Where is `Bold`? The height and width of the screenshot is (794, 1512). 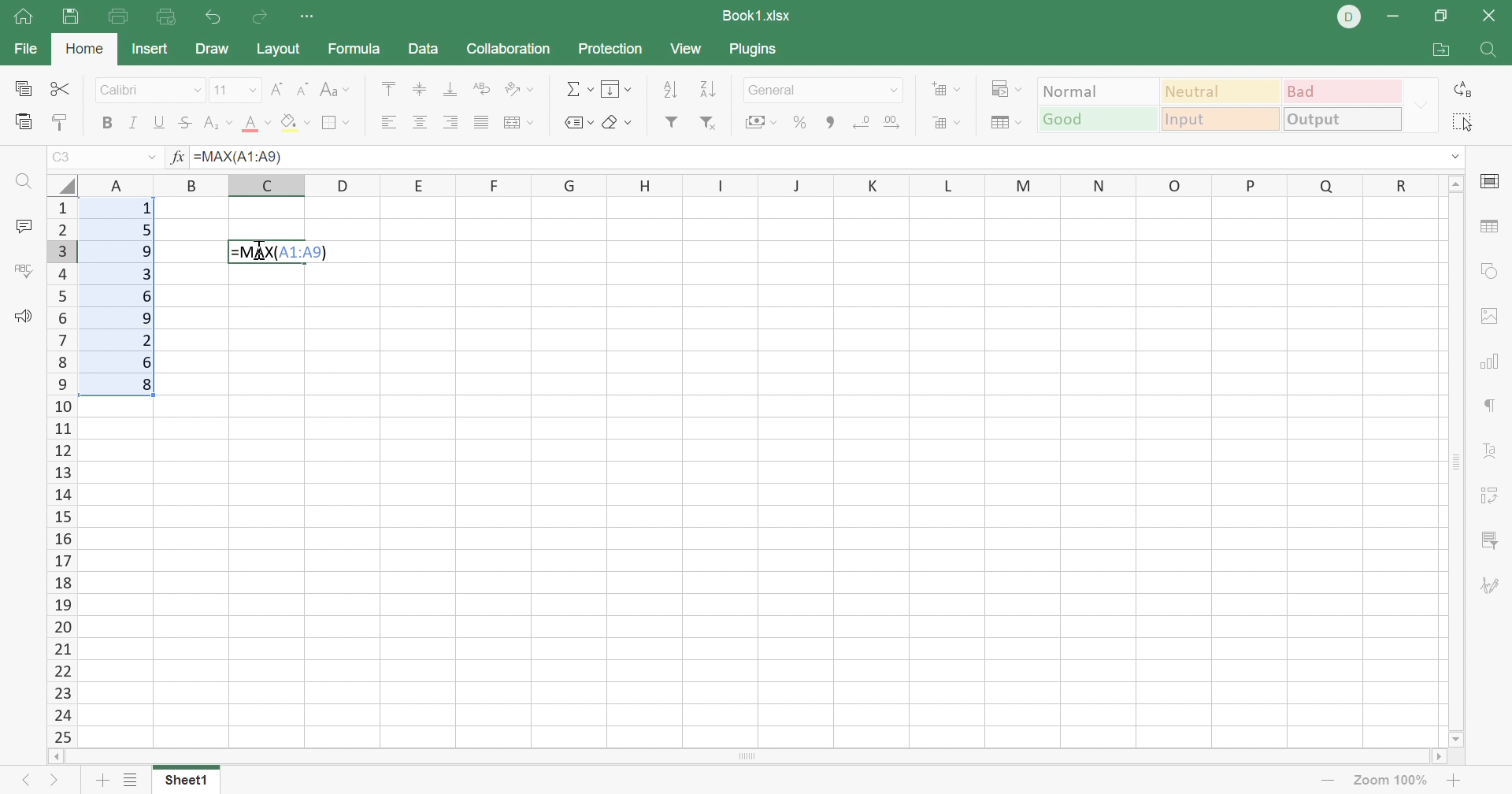 Bold is located at coordinates (108, 122).